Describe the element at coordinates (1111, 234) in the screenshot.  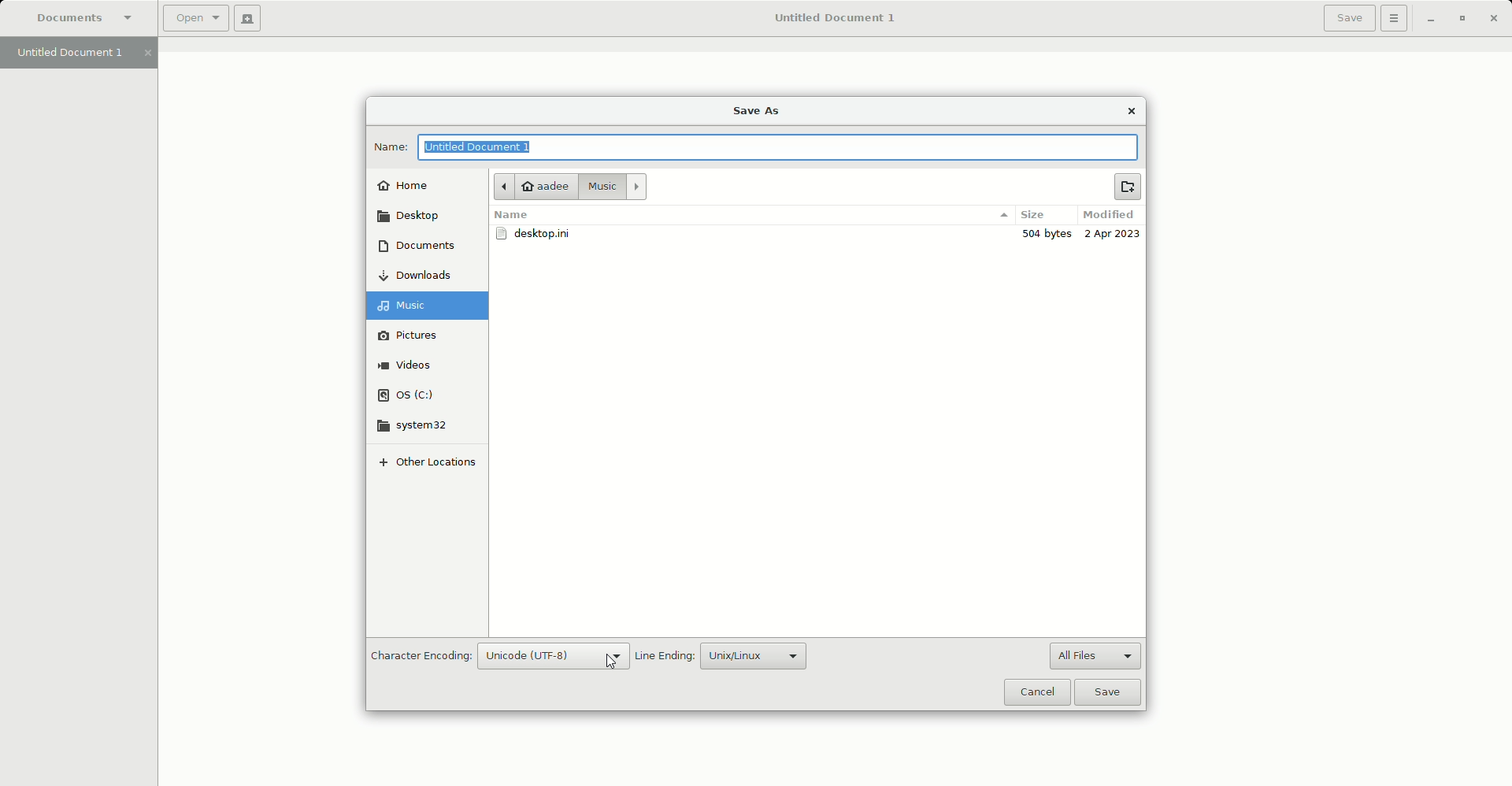
I see `2 Apr 2023` at that location.